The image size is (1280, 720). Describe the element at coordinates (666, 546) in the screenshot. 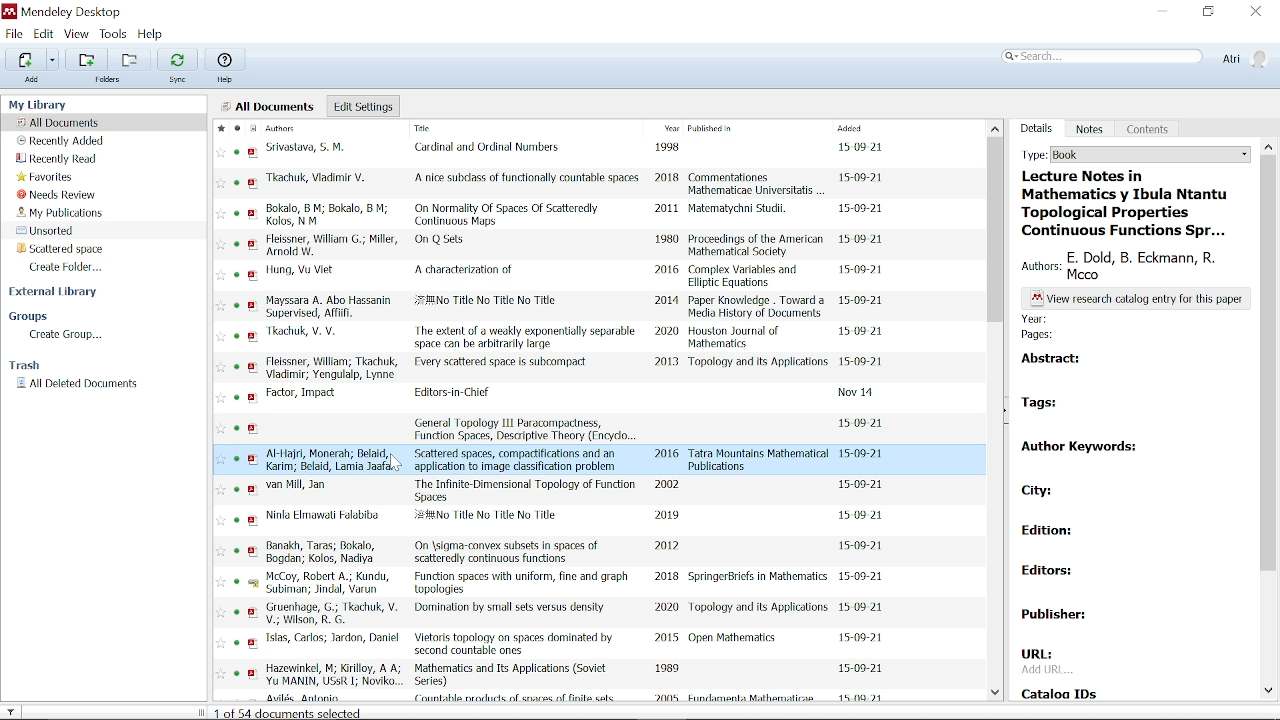

I see `2012` at that location.